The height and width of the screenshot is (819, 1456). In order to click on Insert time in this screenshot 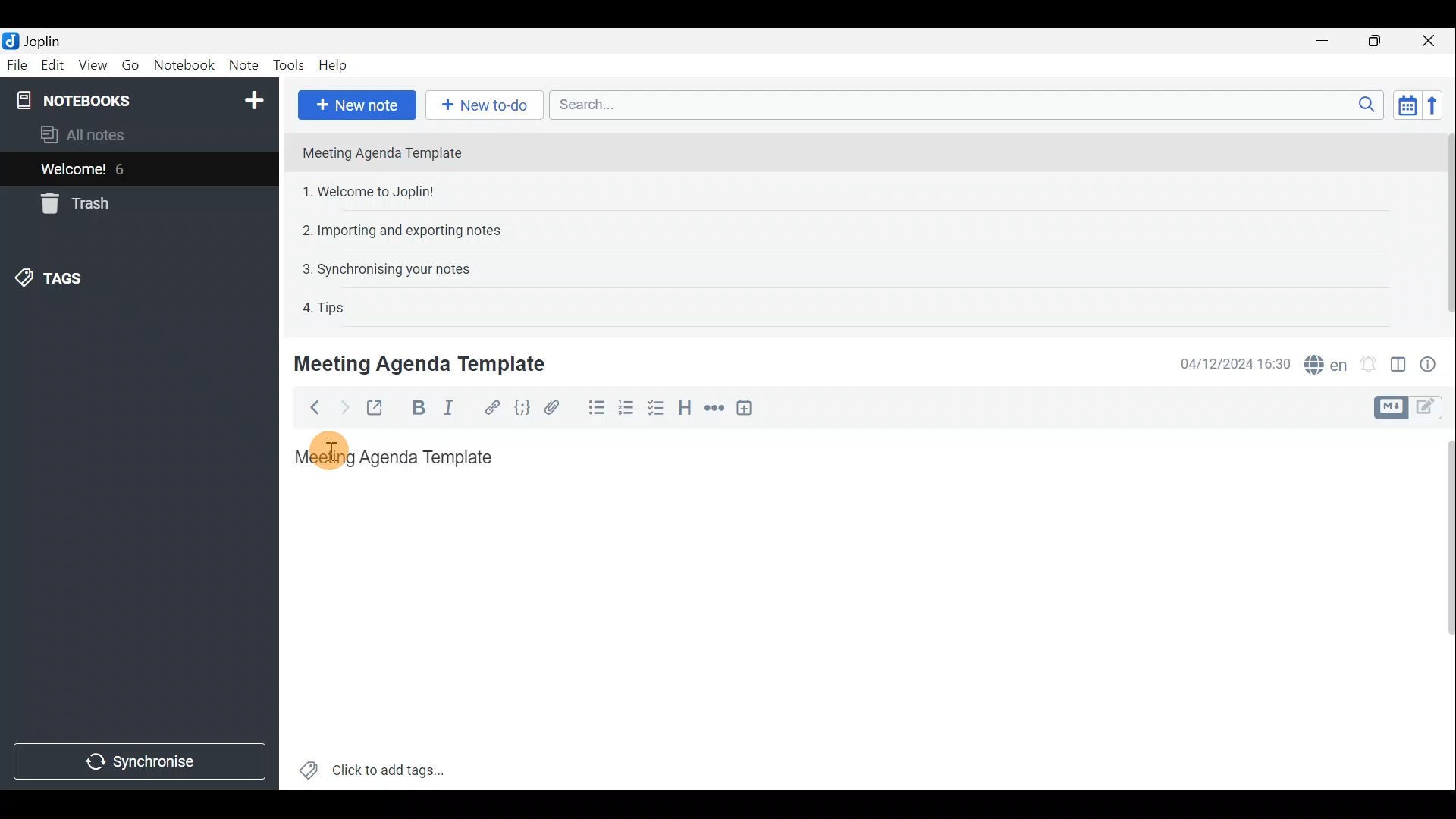, I will do `click(748, 410)`.